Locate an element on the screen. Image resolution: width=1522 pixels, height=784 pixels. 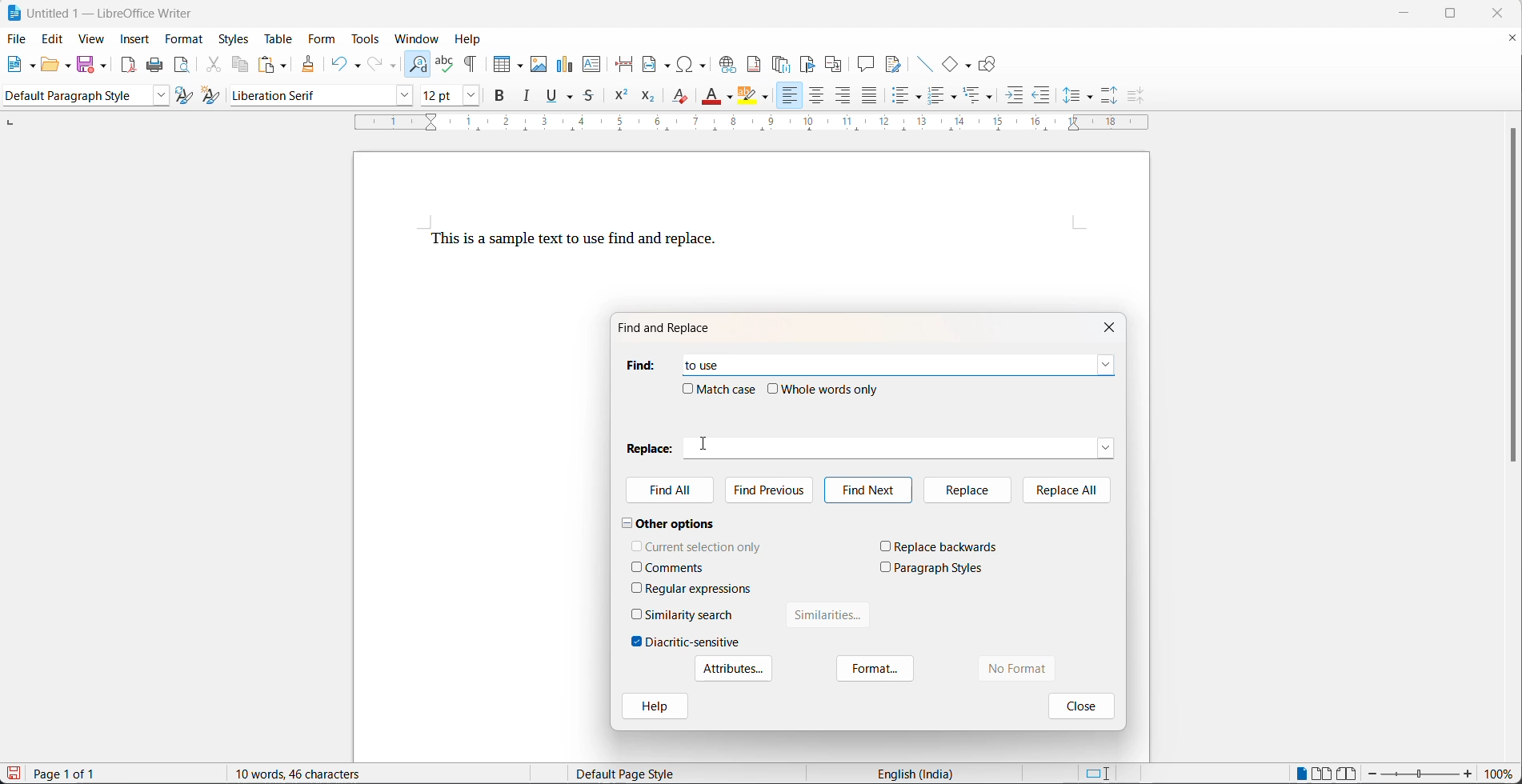
insert special characters is located at coordinates (696, 64).